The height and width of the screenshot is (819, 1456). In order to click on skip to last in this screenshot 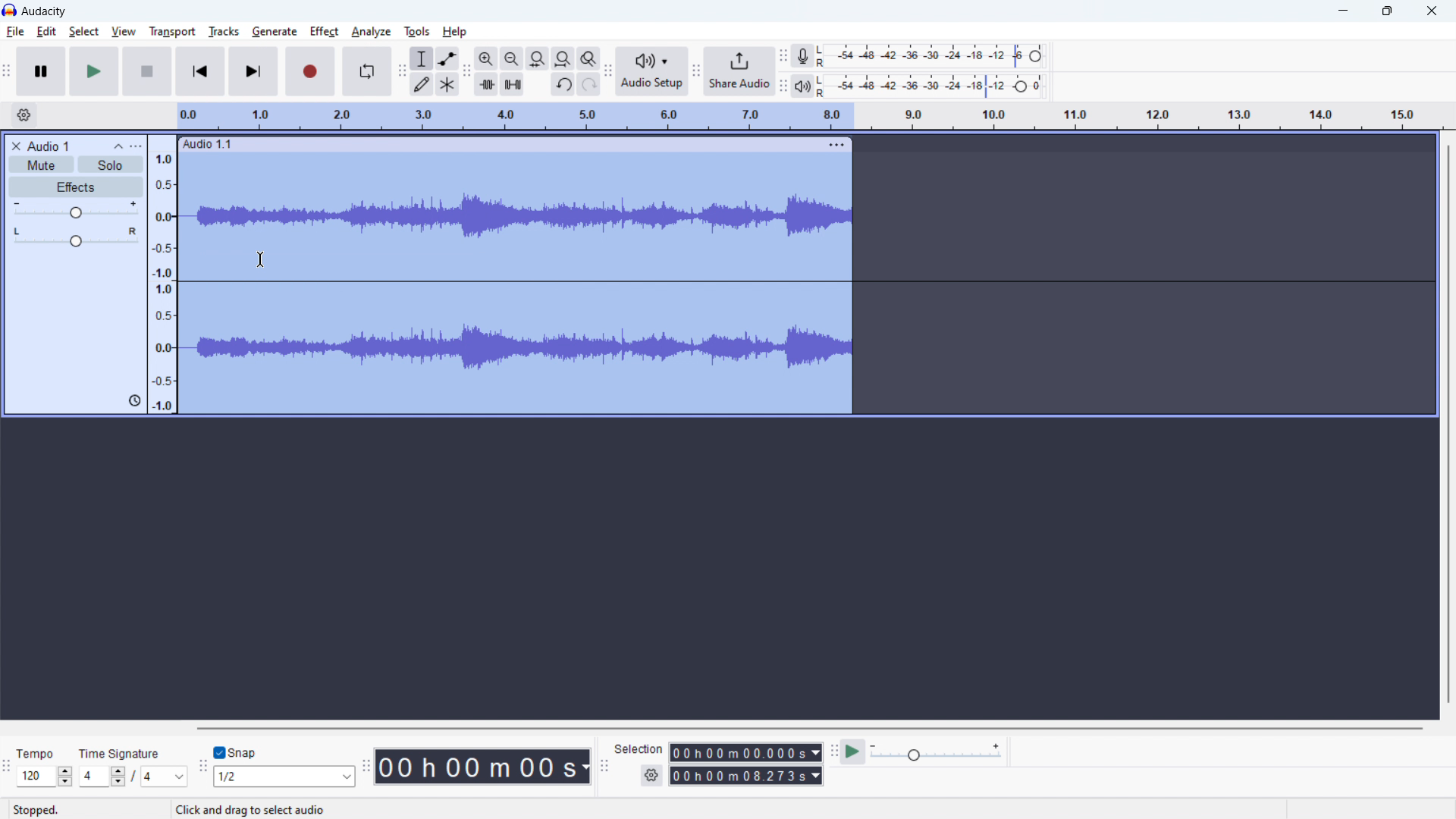, I will do `click(255, 71)`.